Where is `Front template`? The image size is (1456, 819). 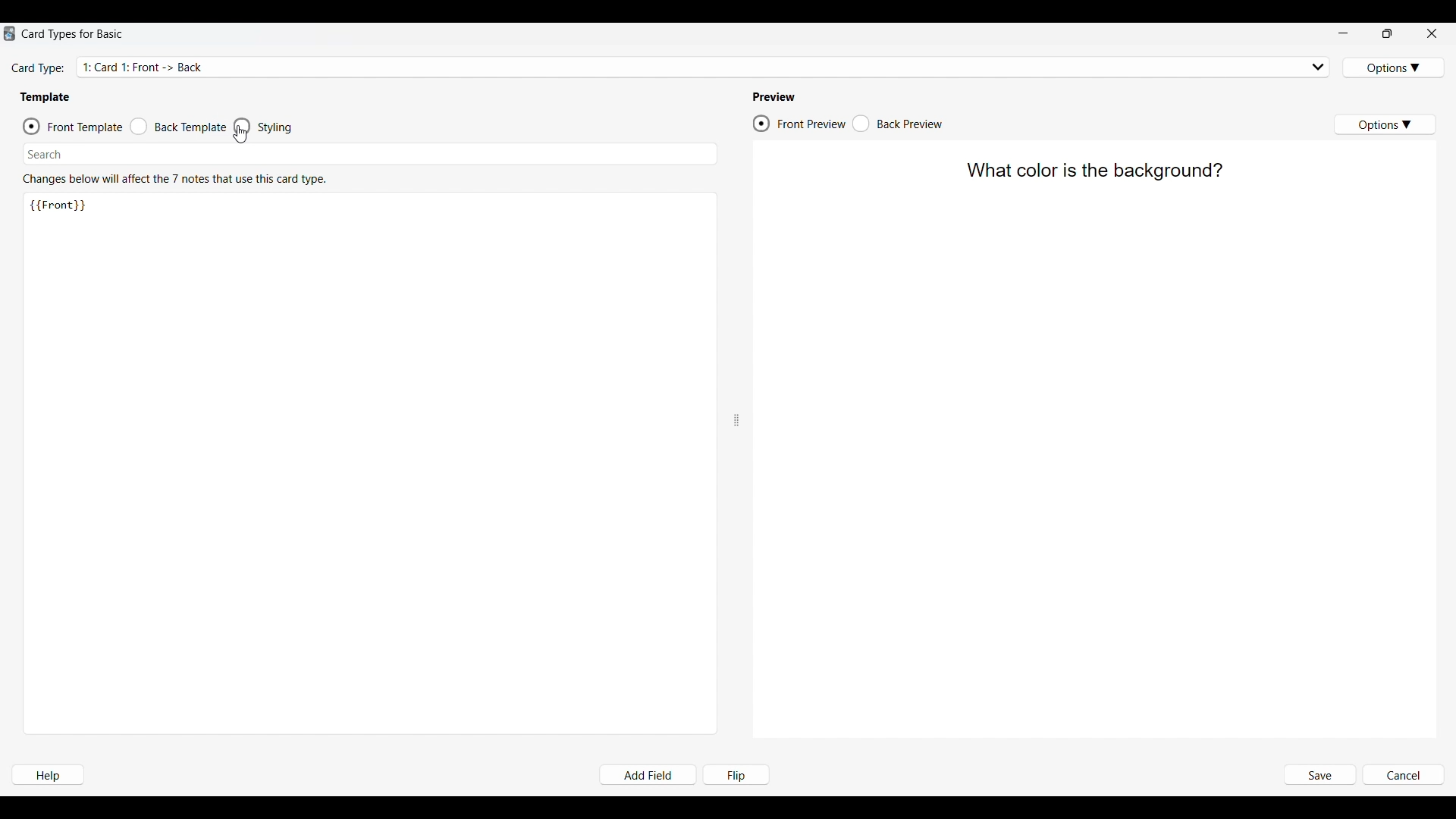 Front template is located at coordinates (73, 127).